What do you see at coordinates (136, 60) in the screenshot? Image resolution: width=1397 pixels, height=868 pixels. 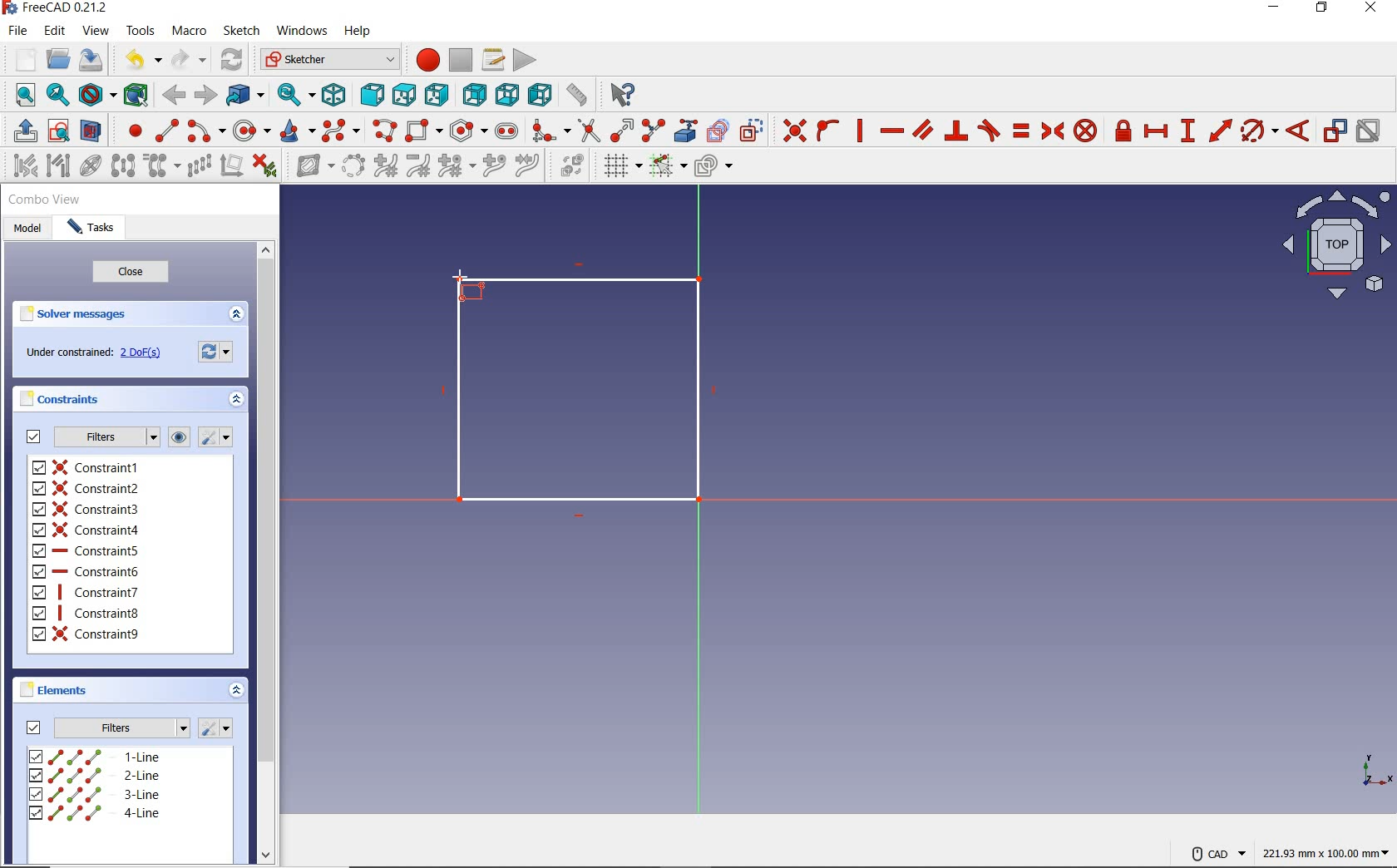 I see `undo` at bounding box center [136, 60].